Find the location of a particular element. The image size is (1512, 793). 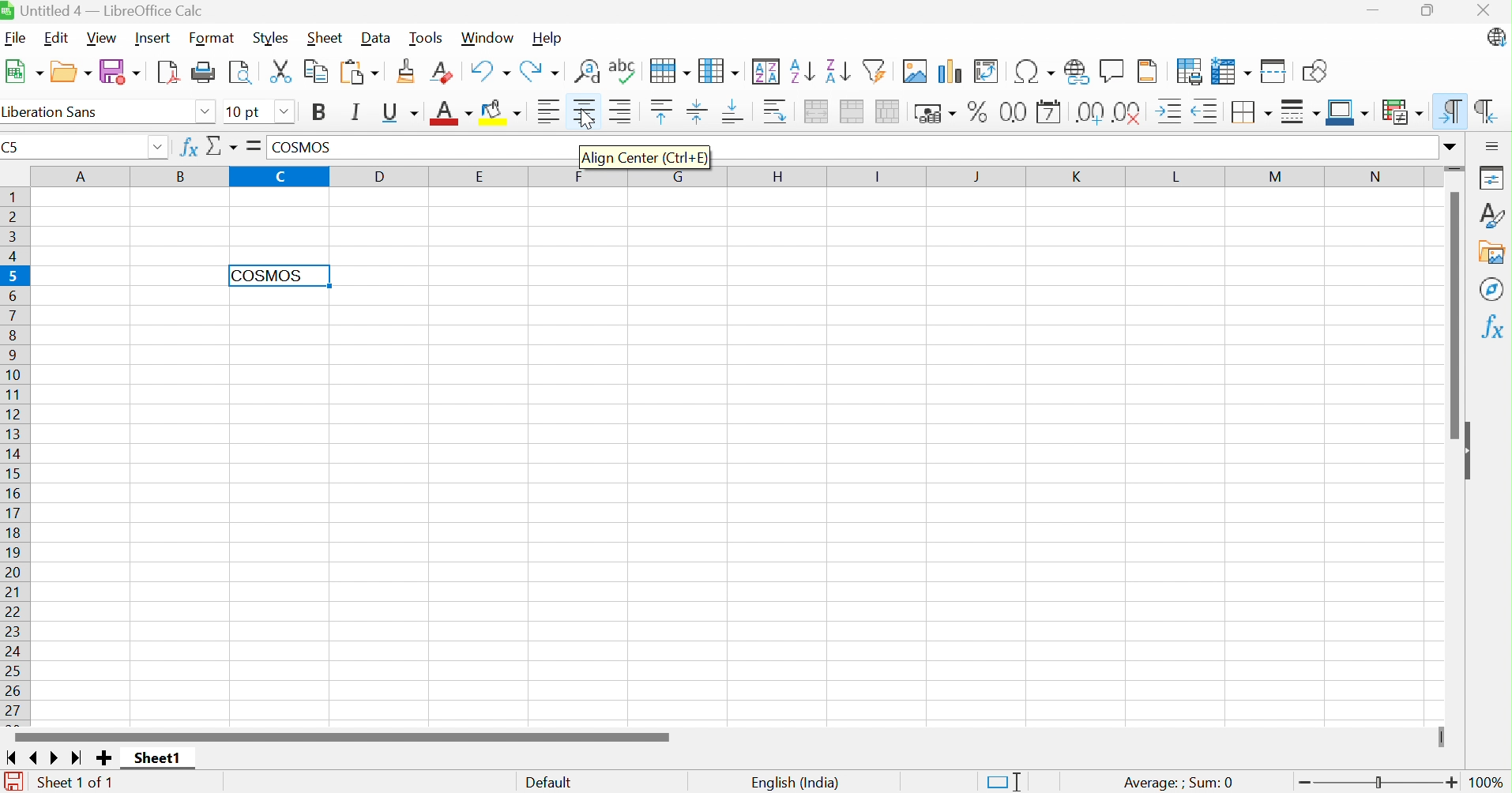

Wrap Text is located at coordinates (776, 111).